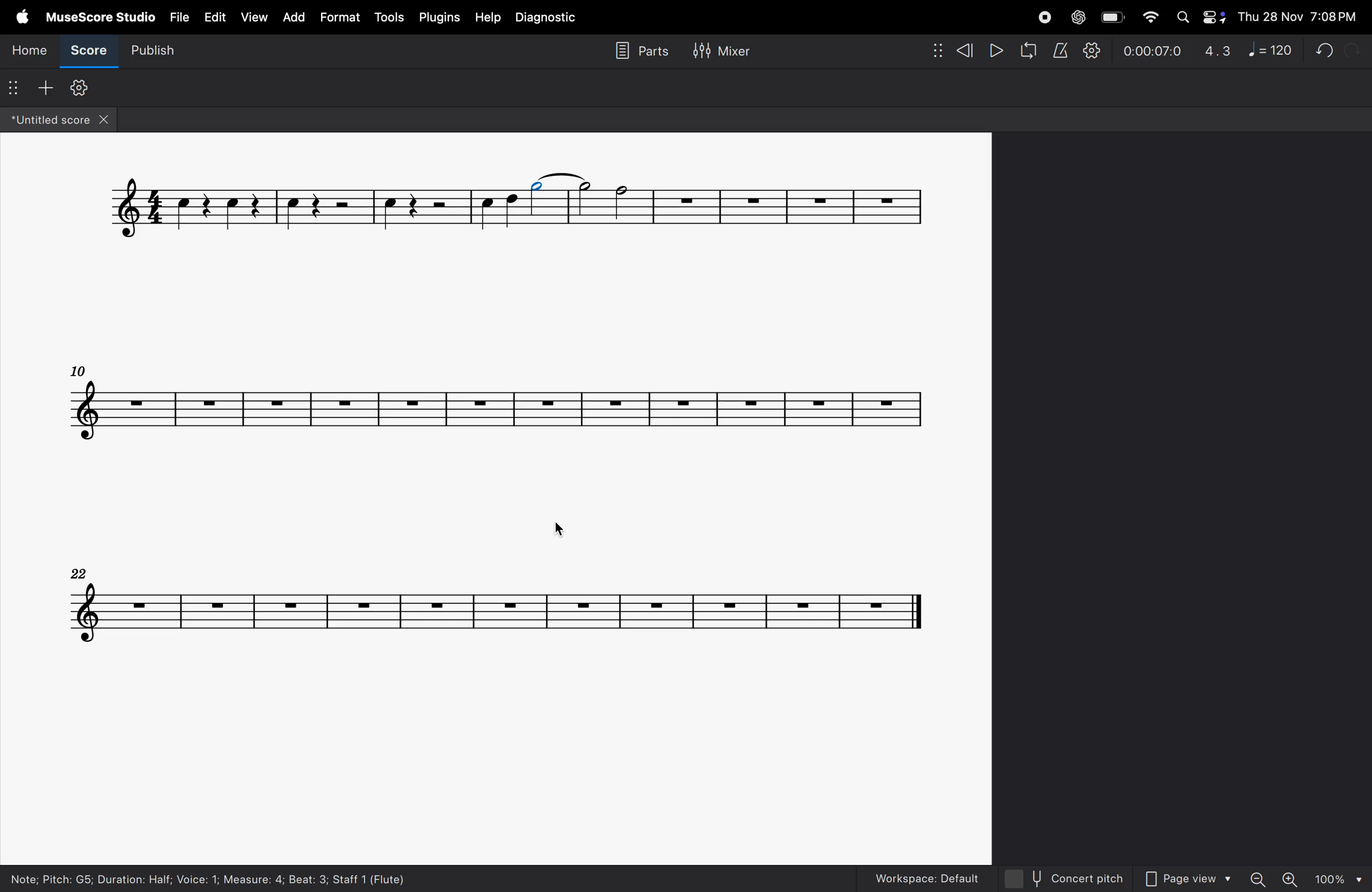  What do you see at coordinates (1060, 49) in the screenshot?
I see `metronome` at bounding box center [1060, 49].